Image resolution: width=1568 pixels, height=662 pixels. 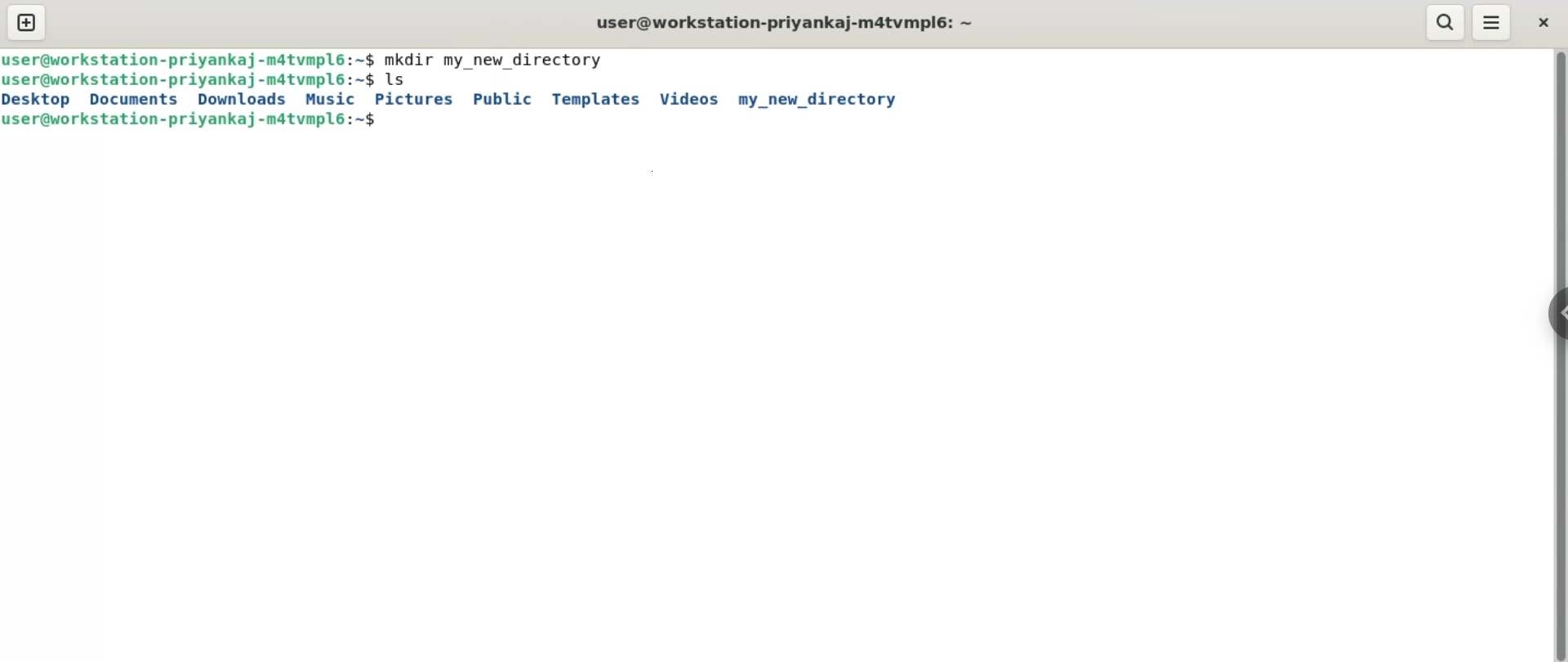 What do you see at coordinates (688, 100) in the screenshot?
I see `videos` at bounding box center [688, 100].